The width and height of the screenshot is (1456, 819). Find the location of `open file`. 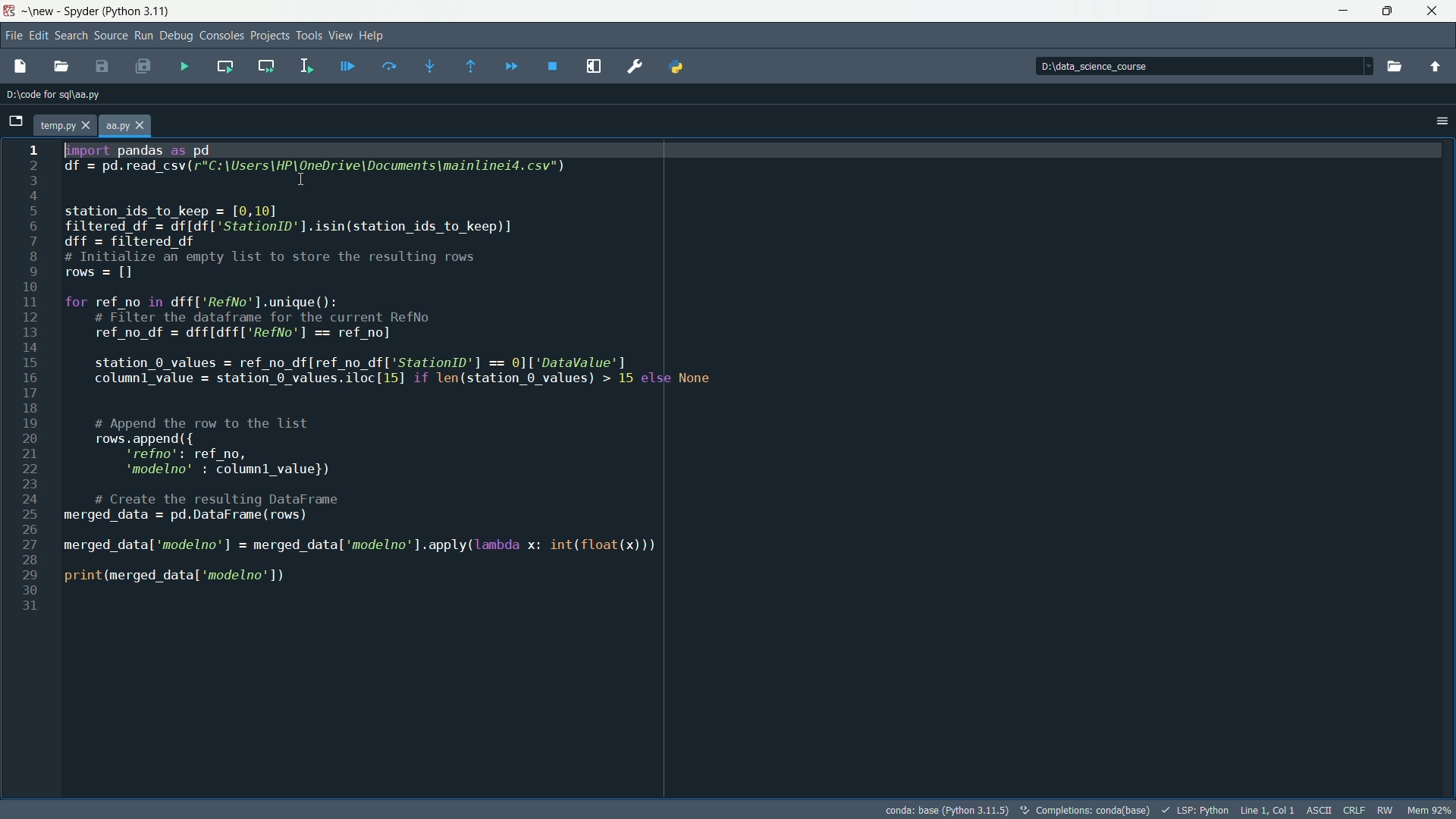

open file is located at coordinates (59, 66).